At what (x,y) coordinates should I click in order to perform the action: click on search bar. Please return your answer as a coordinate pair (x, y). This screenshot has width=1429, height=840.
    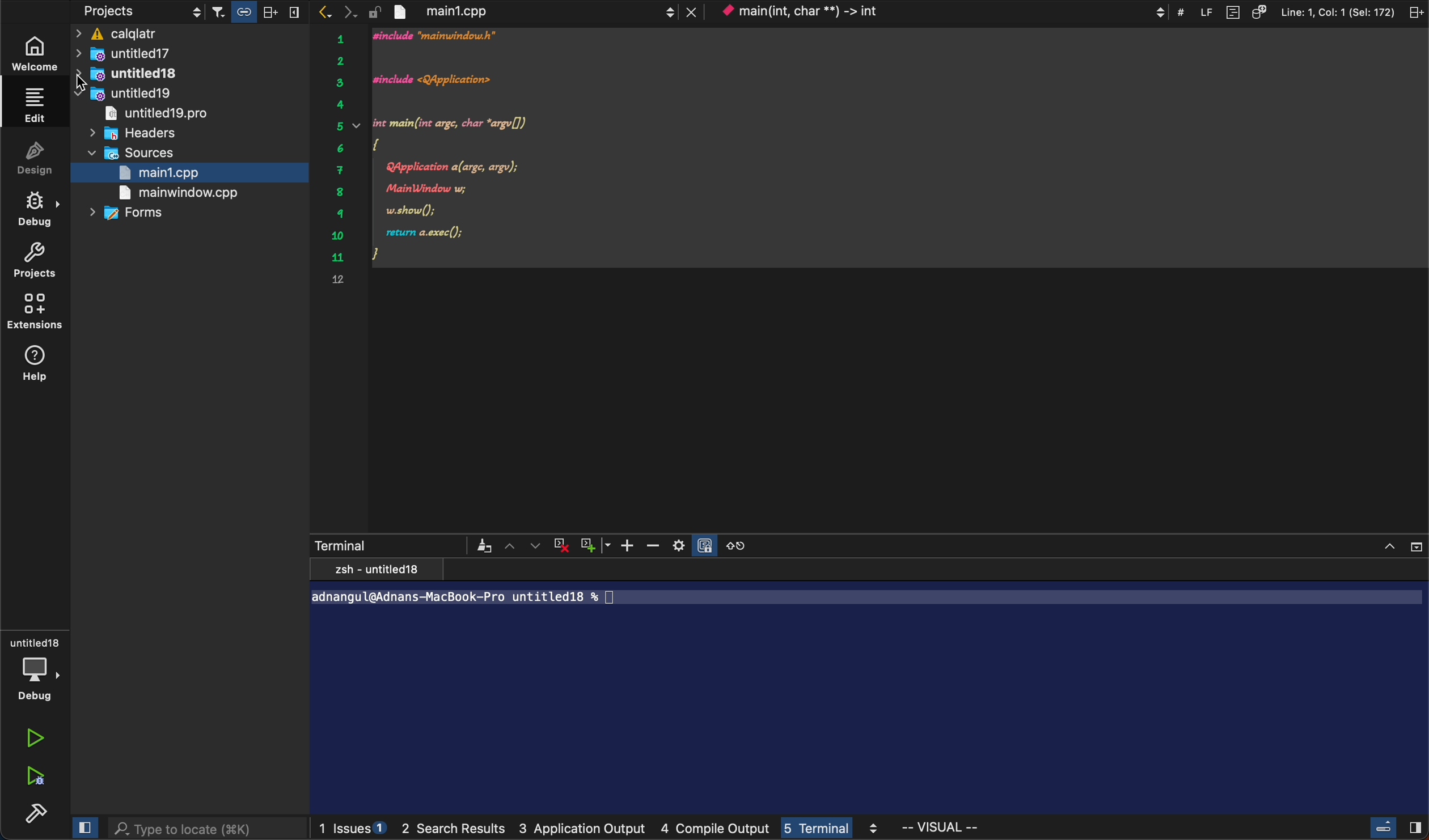
    Looking at the image, I should click on (204, 827).